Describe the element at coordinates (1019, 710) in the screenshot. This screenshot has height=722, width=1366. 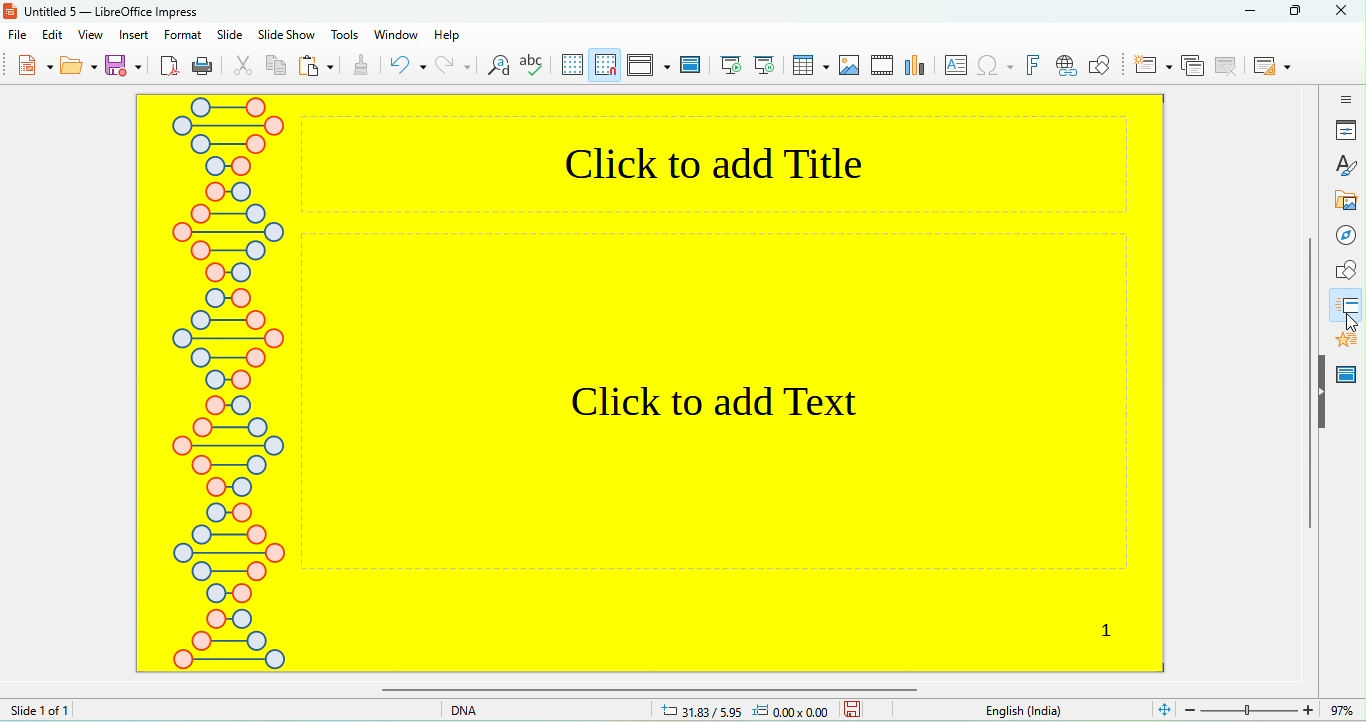
I see `text language` at that location.